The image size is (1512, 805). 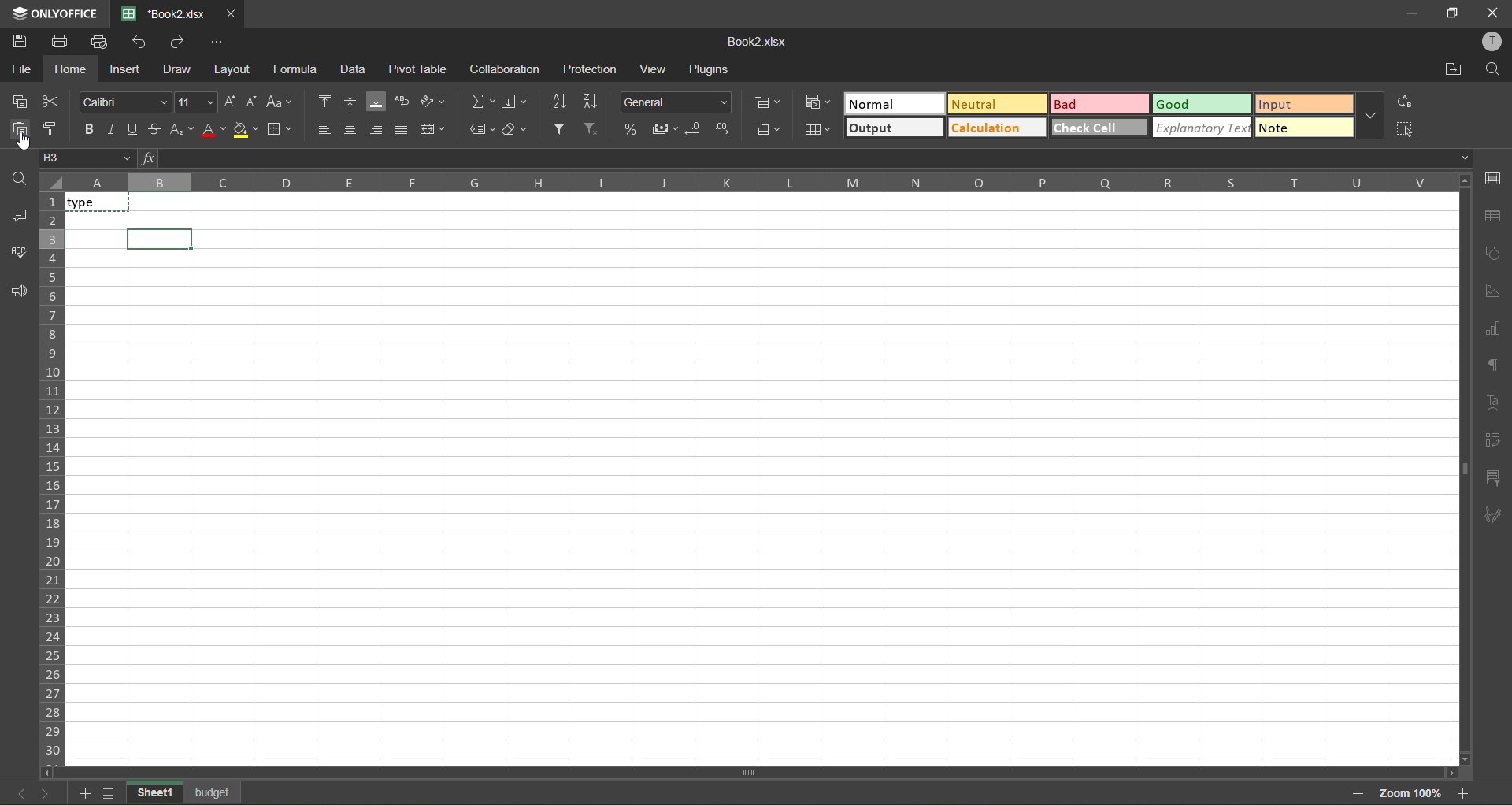 What do you see at coordinates (102, 43) in the screenshot?
I see `quick print` at bounding box center [102, 43].